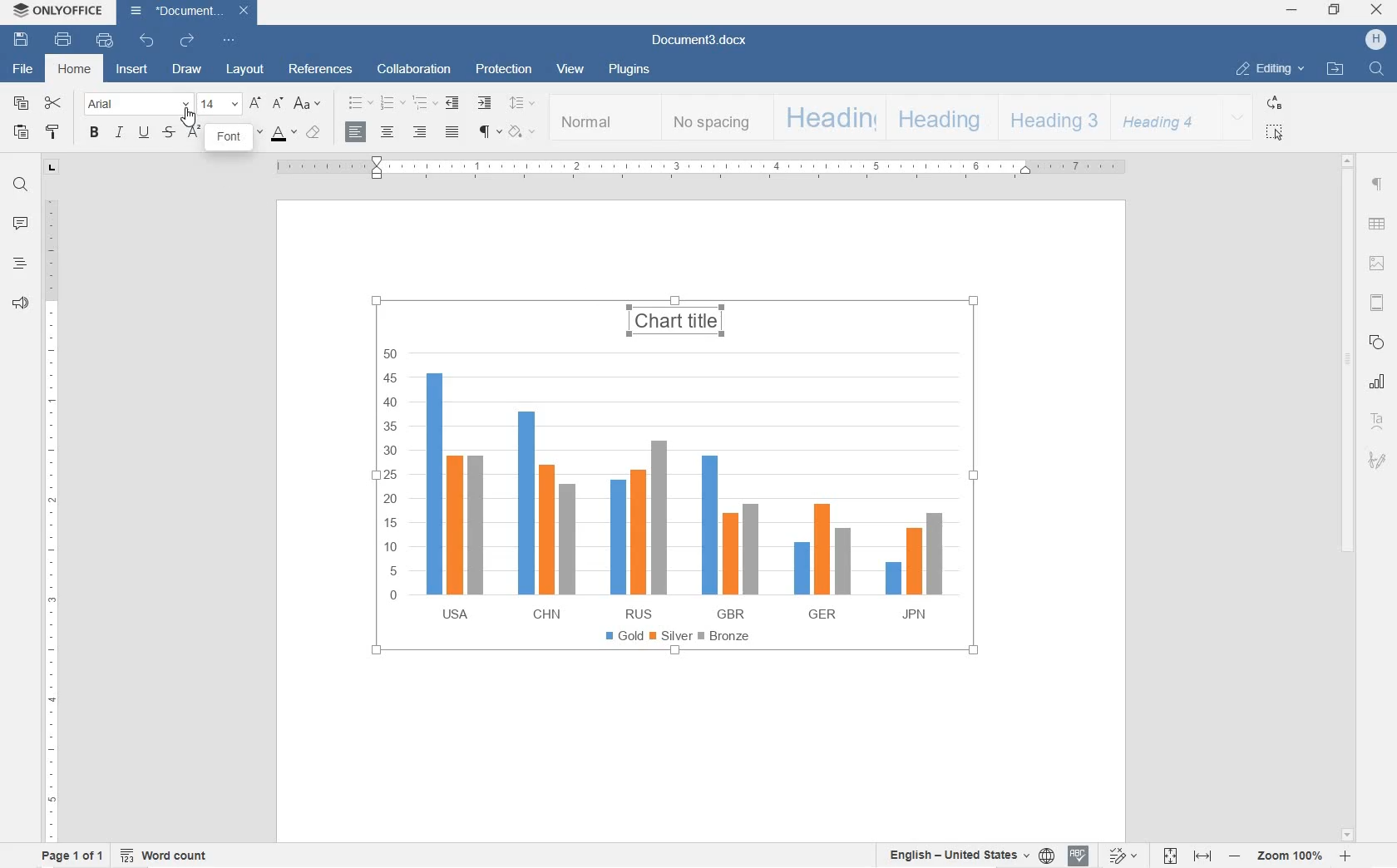 Image resolution: width=1397 pixels, height=868 pixels. Describe the element at coordinates (144, 42) in the screenshot. I see `UNDO` at that location.